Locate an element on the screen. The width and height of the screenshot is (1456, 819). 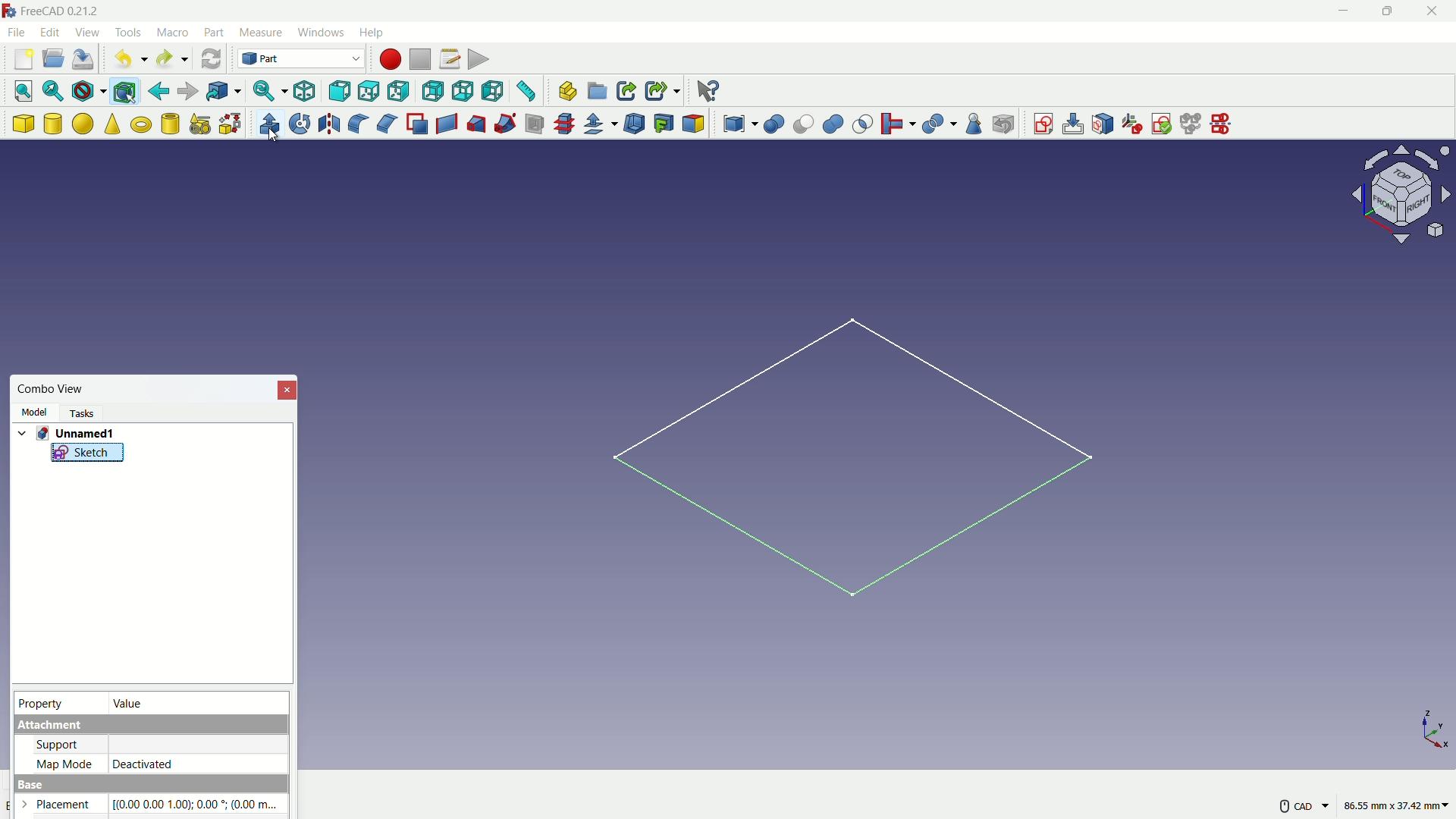
execute macro is located at coordinates (478, 58).